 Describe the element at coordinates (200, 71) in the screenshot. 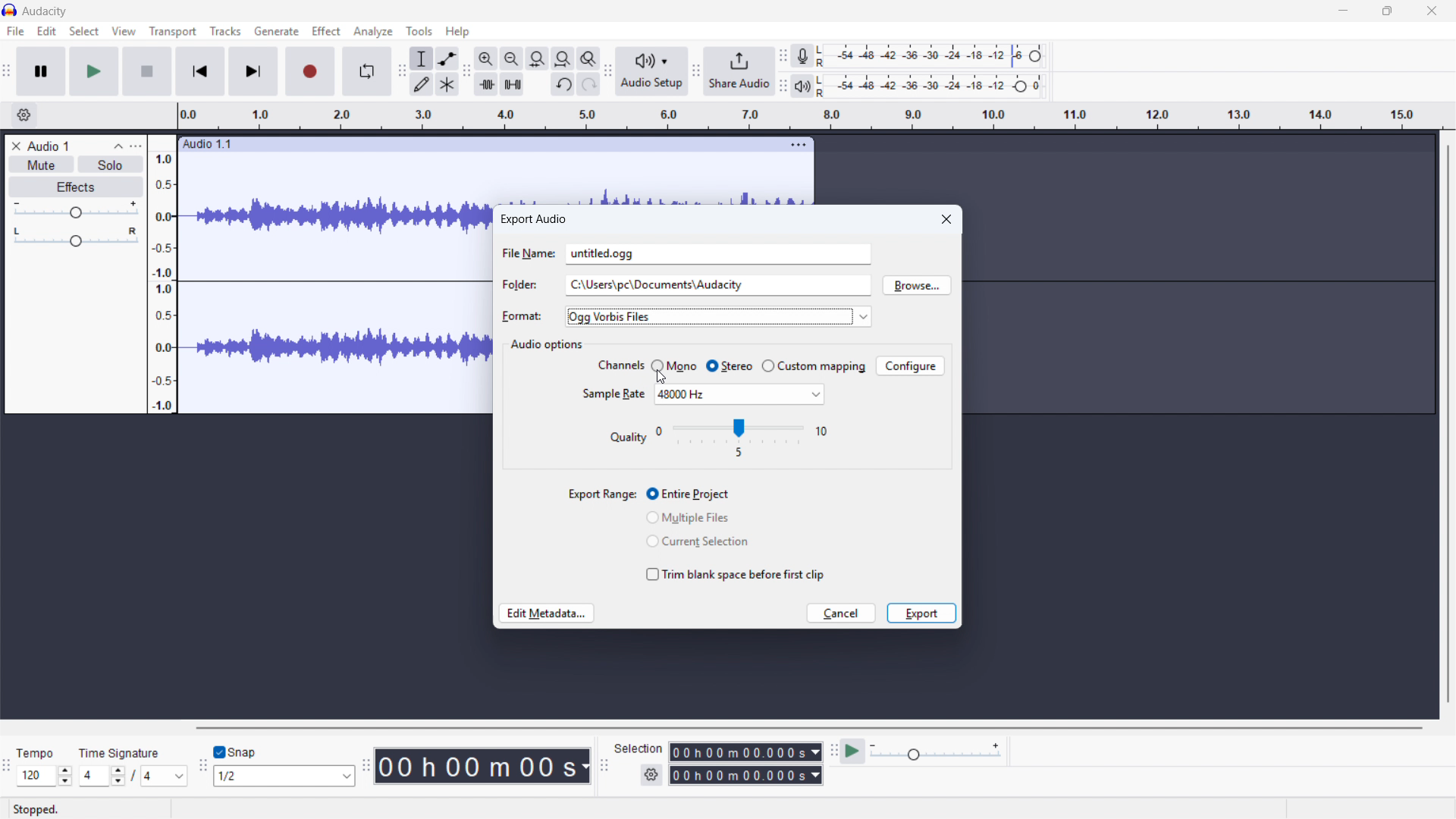

I see `Skip to beginning ` at that location.